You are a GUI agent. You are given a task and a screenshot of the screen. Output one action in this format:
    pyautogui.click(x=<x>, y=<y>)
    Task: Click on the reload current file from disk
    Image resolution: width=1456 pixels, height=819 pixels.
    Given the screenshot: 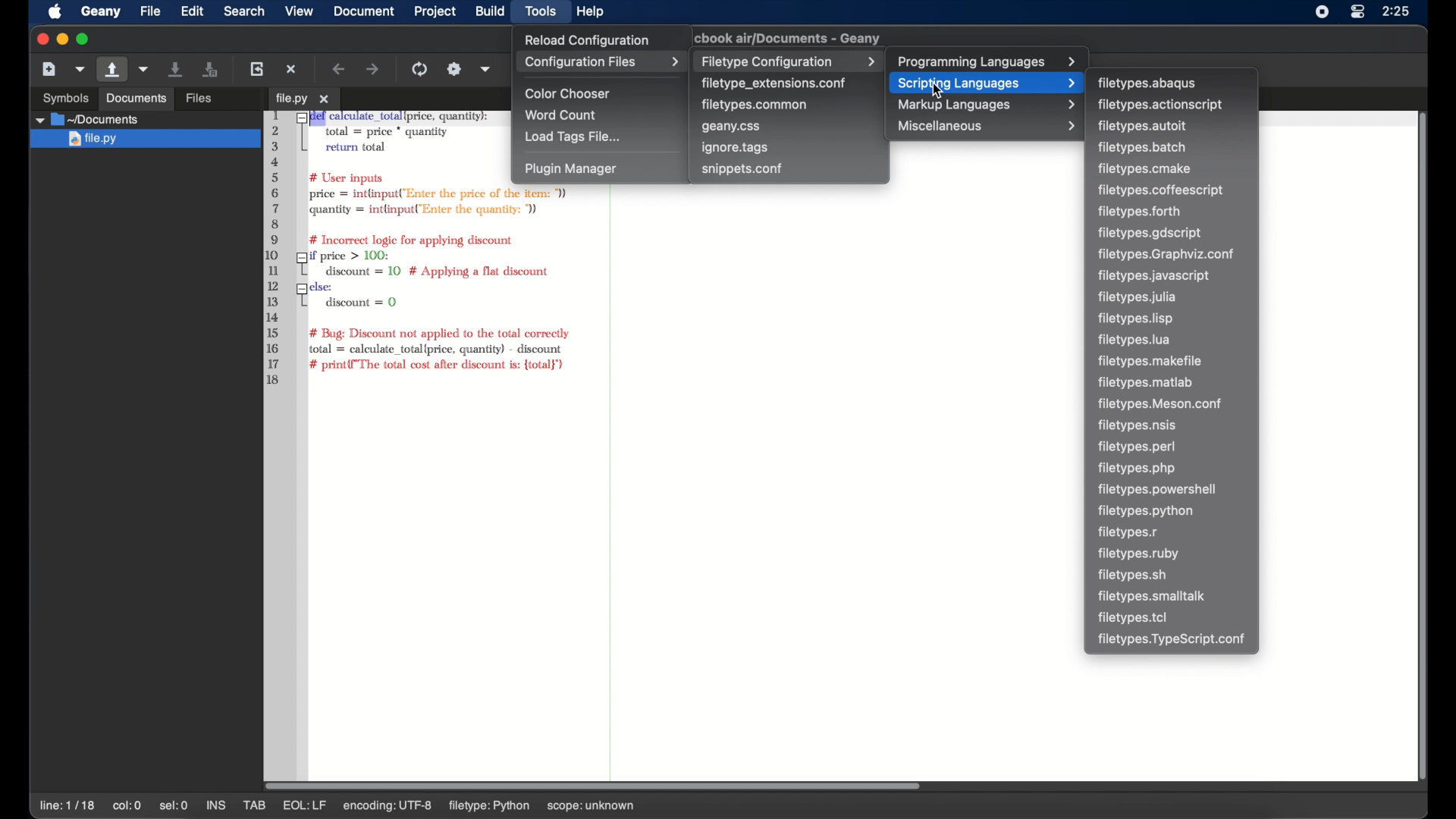 What is the action you would take?
    pyautogui.click(x=256, y=68)
    